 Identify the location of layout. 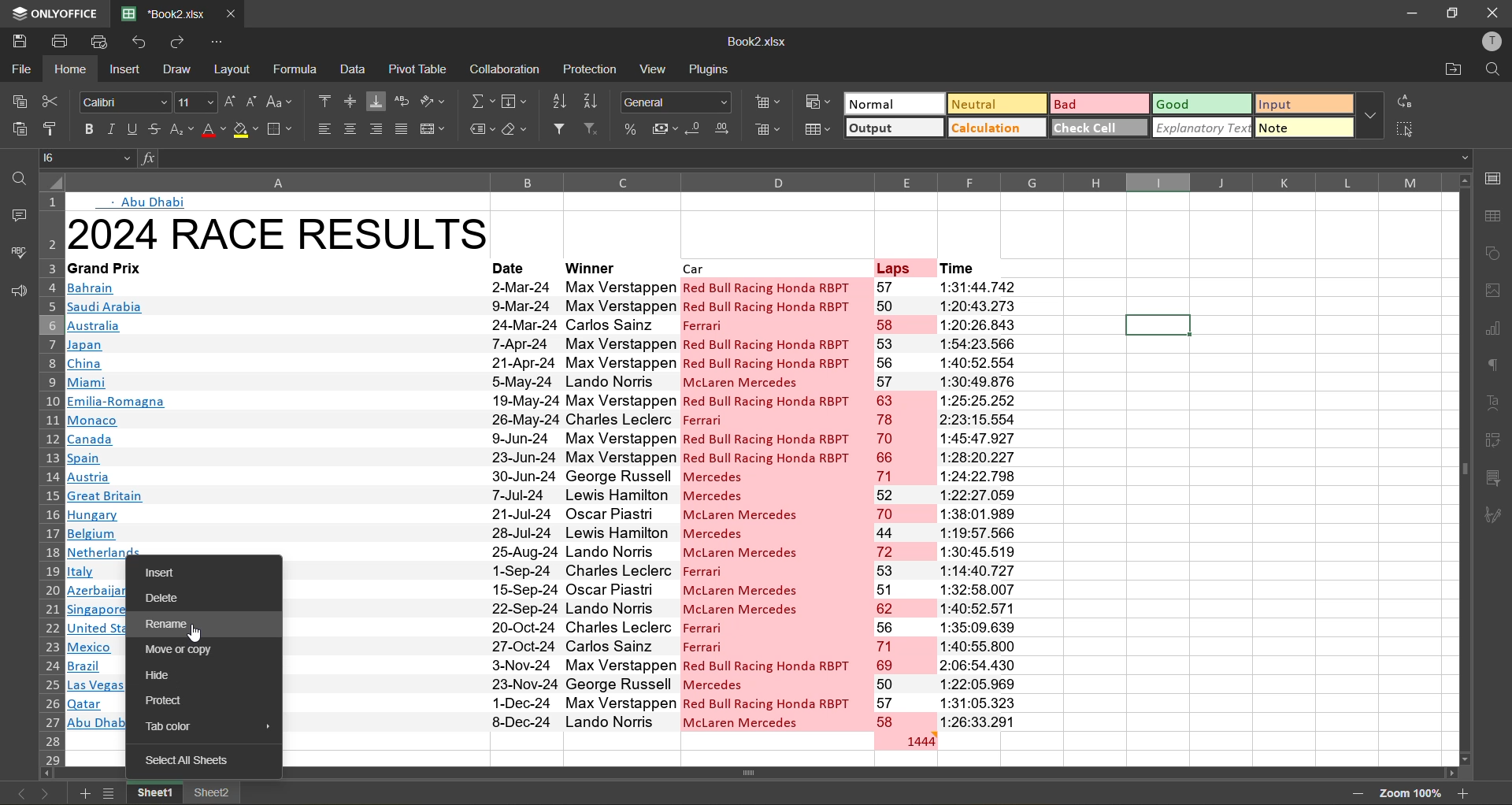
(235, 69).